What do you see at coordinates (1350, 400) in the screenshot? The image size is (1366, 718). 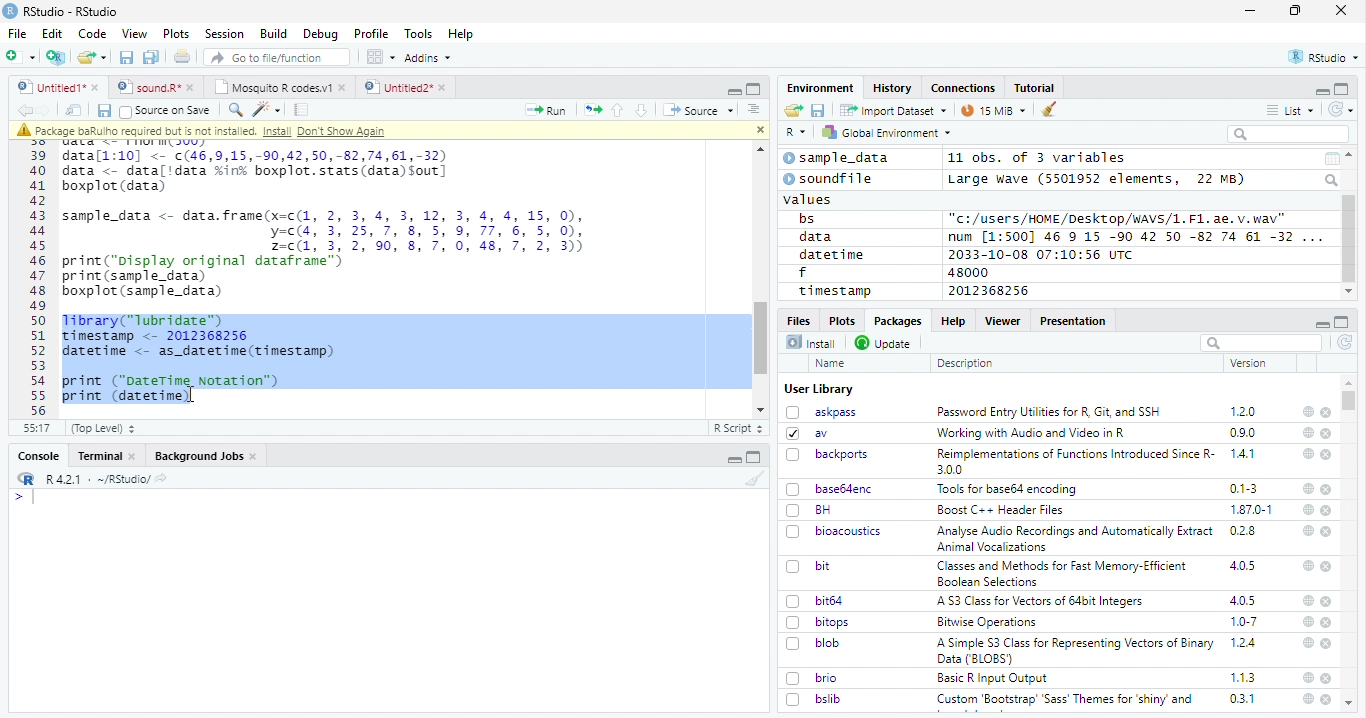 I see `scroll bar` at bounding box center [1350, 400].